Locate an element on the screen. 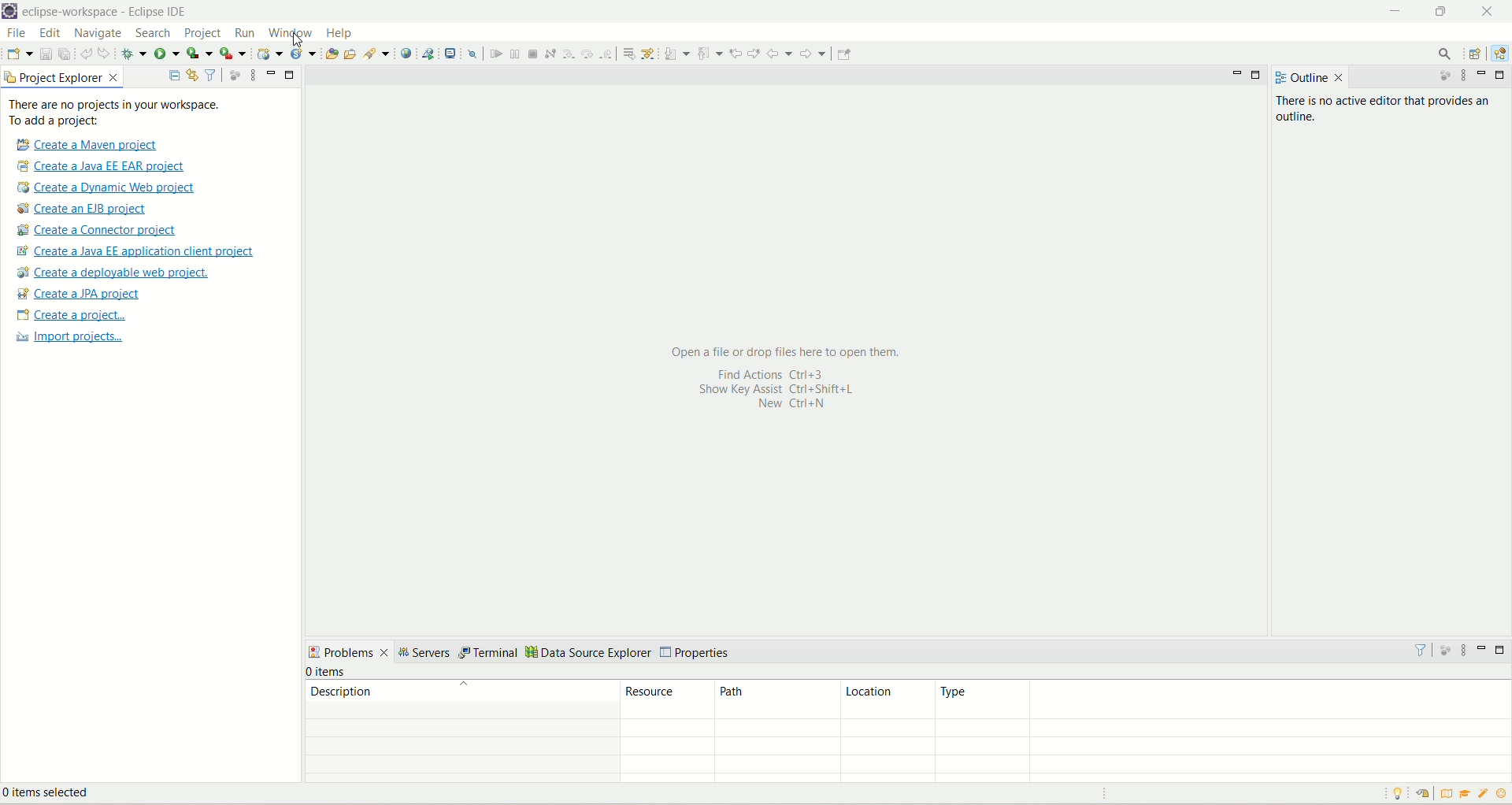  maximize is located at coordinates (291, 76).